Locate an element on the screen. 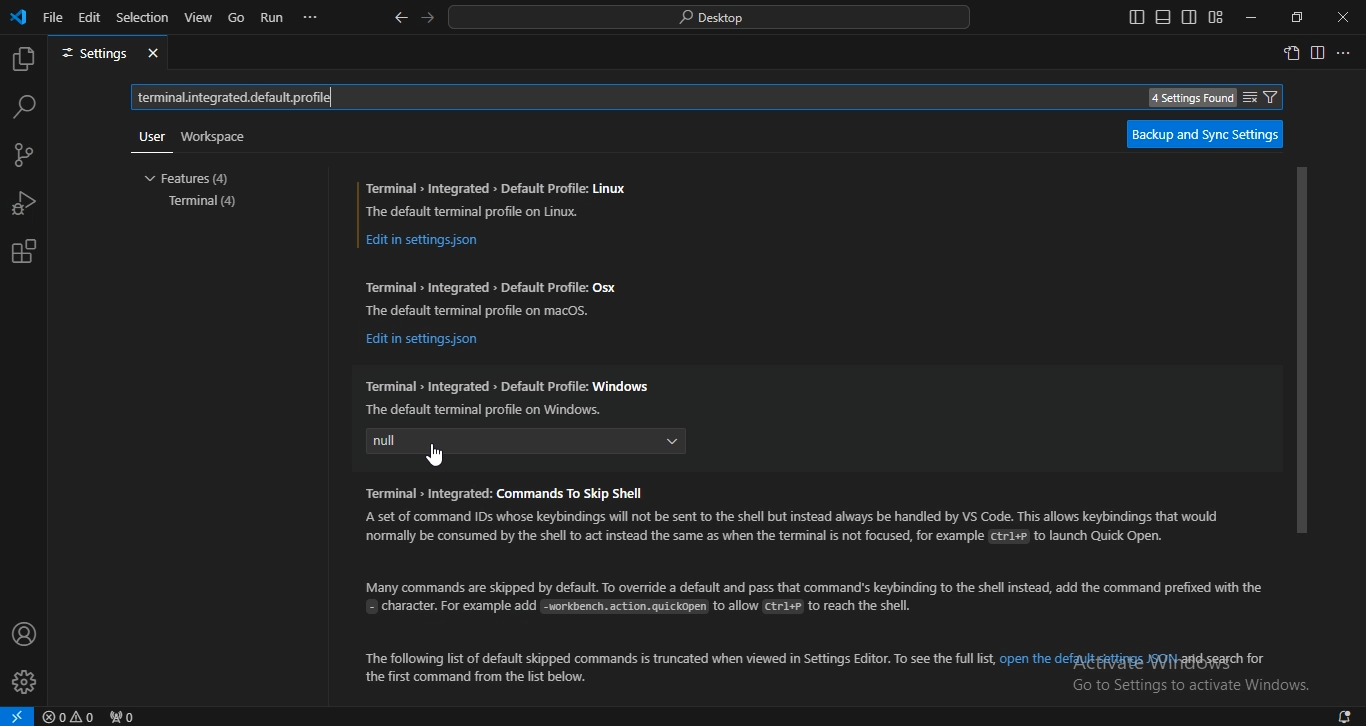 The width and height of the screenshot is (1366, 726). run and debug is located at coordinates (23, 205).